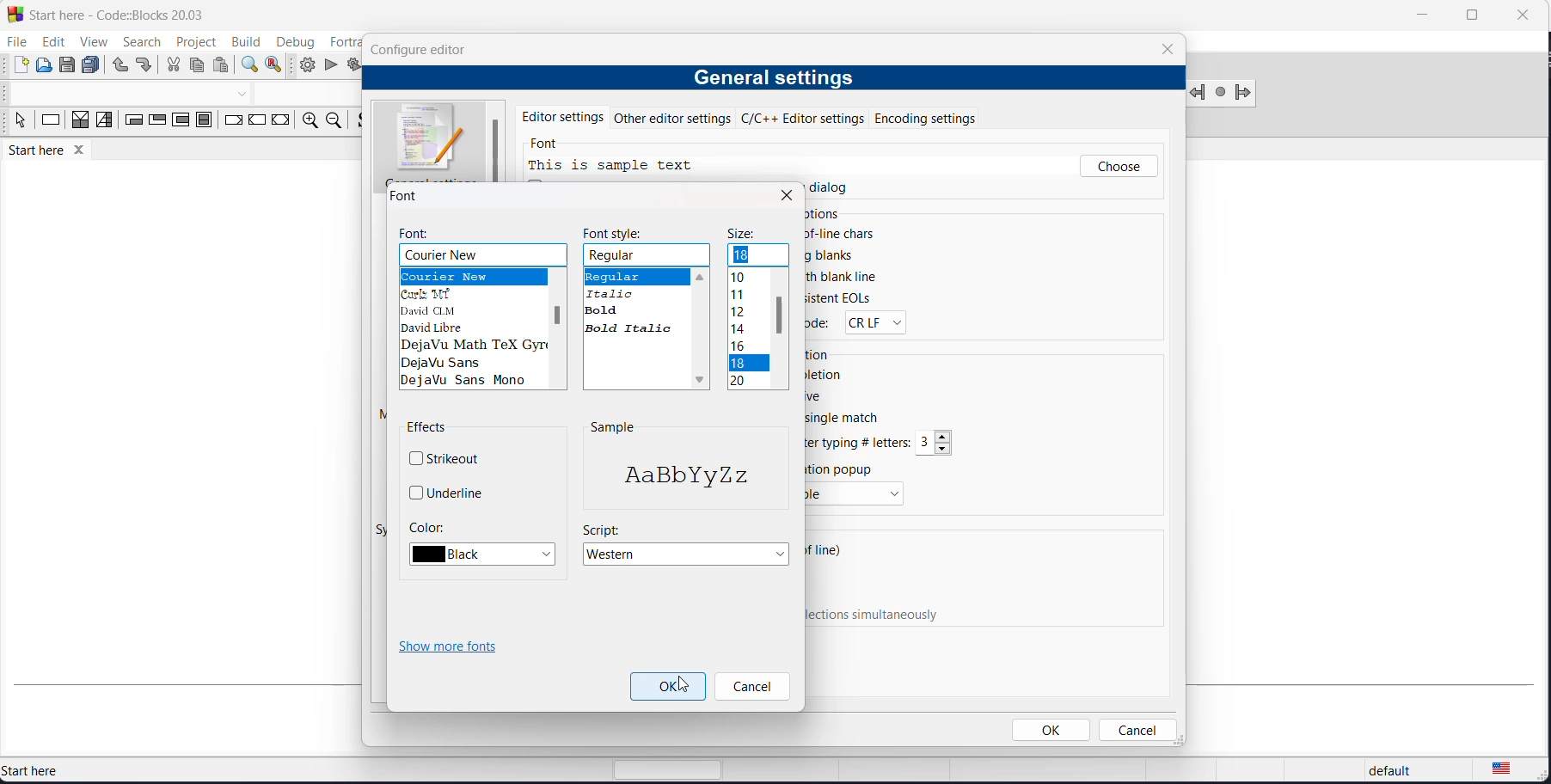  Describe the element at coordinates (156, 123) in the screenshot. I see `exit condition loop` at that location.